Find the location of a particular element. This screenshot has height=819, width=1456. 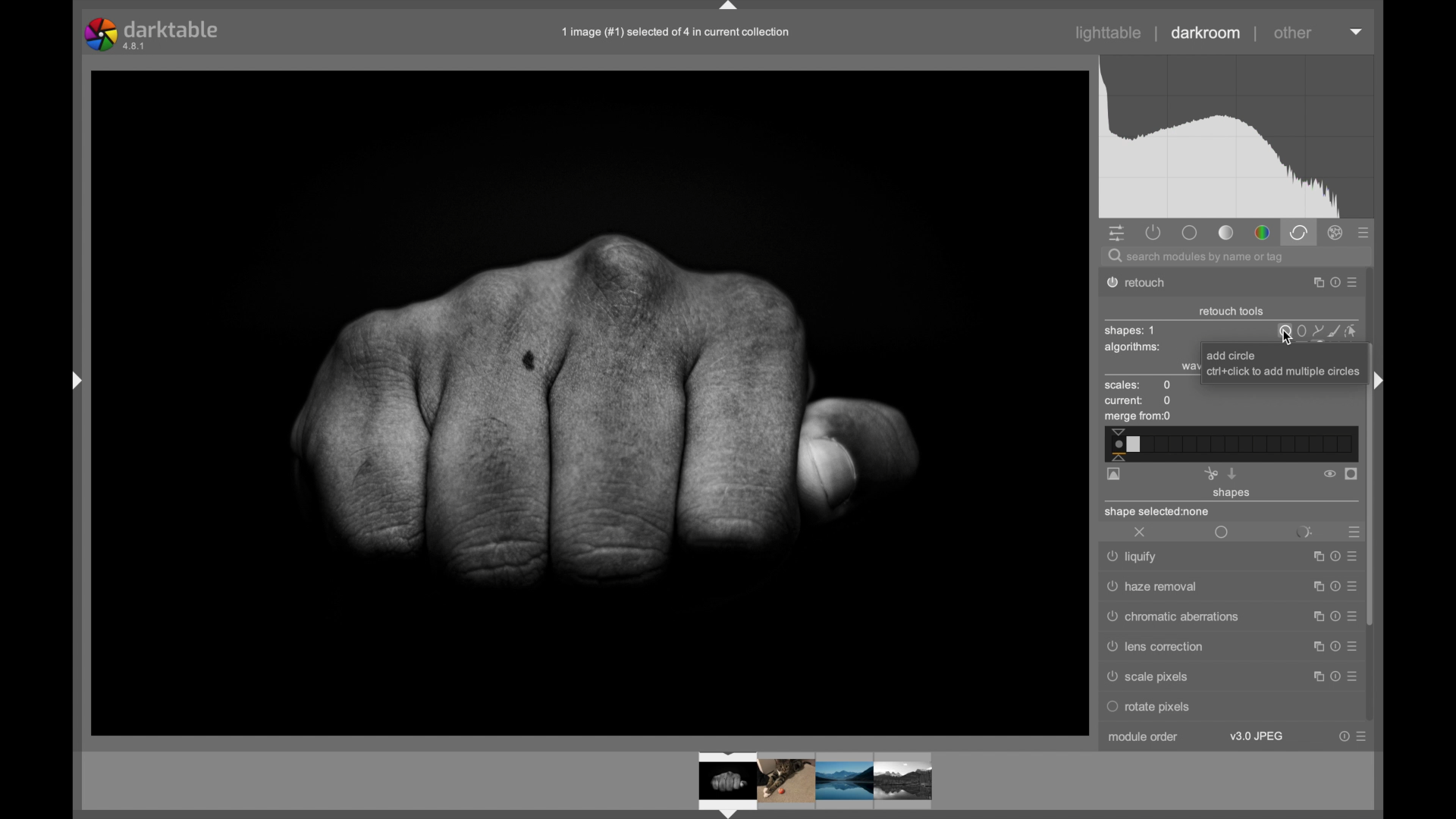

liquify is located at coordinates (1134, 558).